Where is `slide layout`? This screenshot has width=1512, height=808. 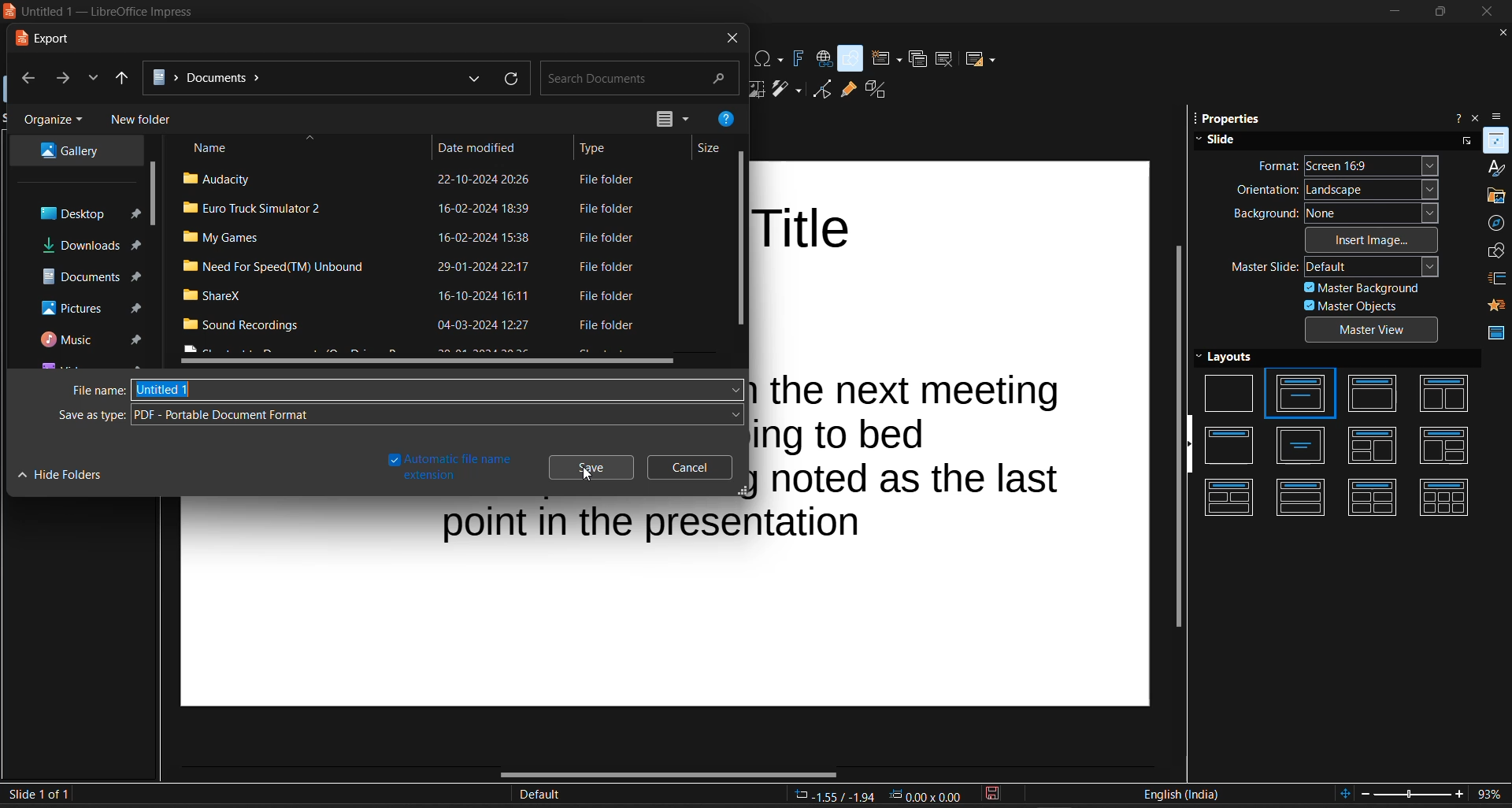 slide layout is located at coordinates (980, 59).